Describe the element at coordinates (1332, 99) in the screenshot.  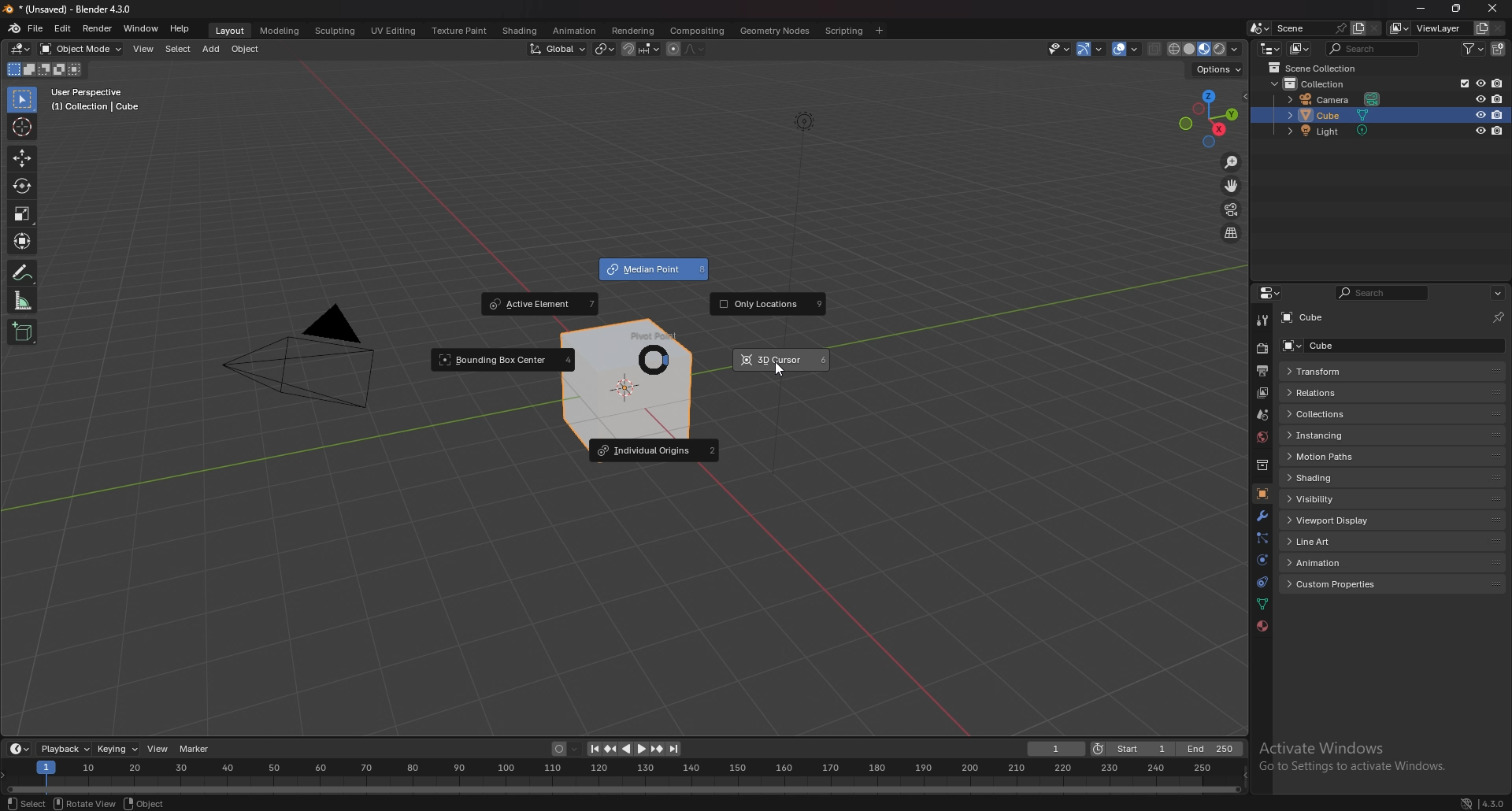
I see `camera` at that location.